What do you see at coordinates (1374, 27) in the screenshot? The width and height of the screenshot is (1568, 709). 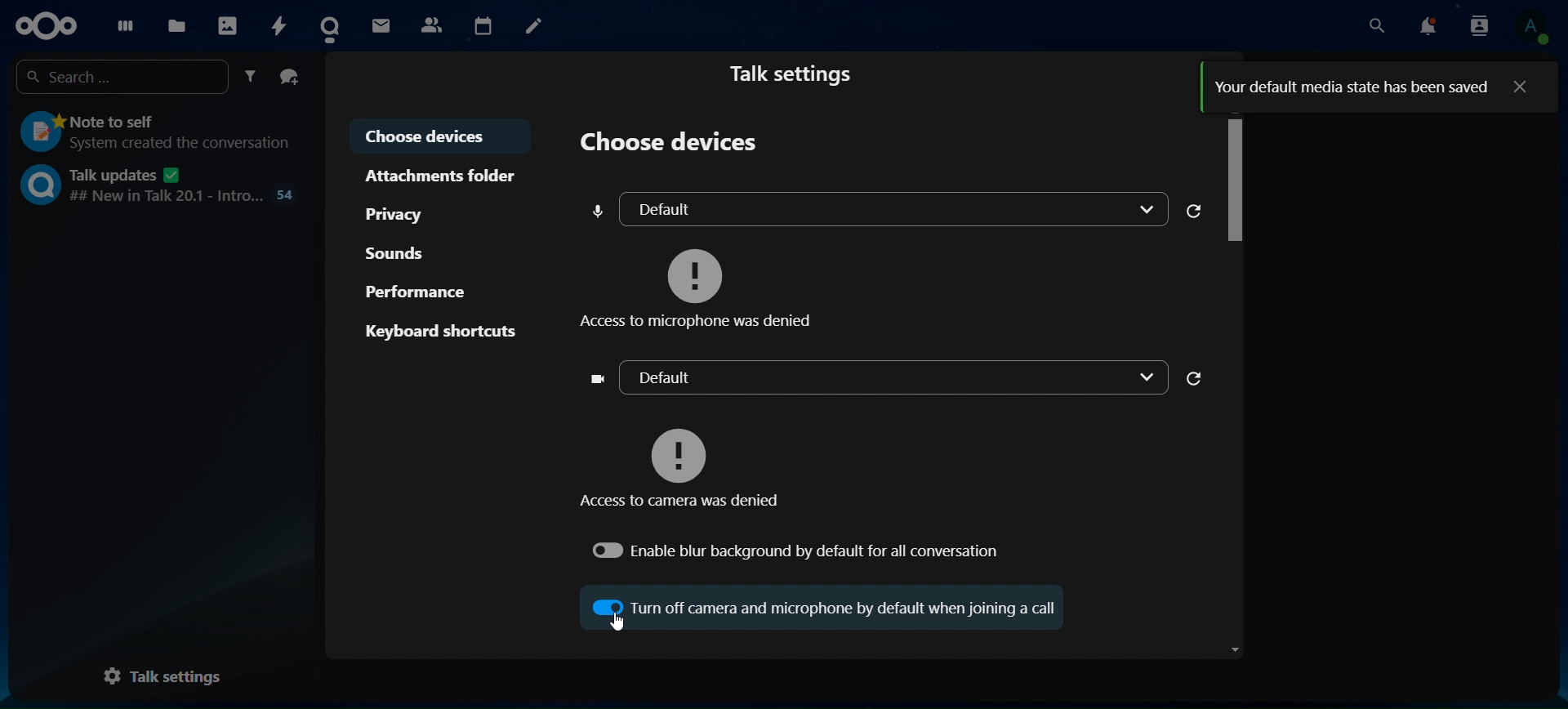 I see `search` at bounding box center [1374, 27].